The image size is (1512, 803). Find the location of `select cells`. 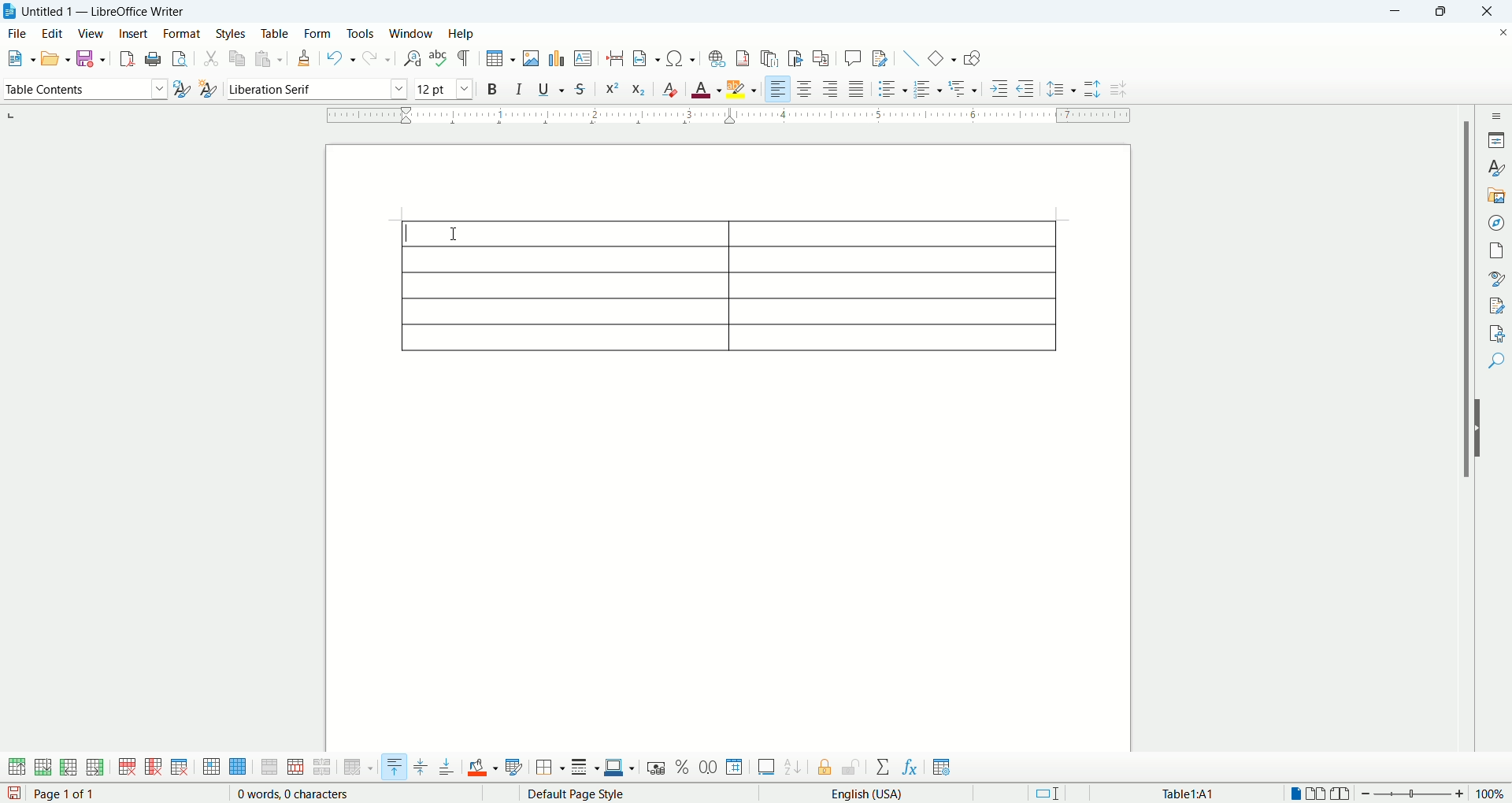

select cells is located at coordinates (211, 768).